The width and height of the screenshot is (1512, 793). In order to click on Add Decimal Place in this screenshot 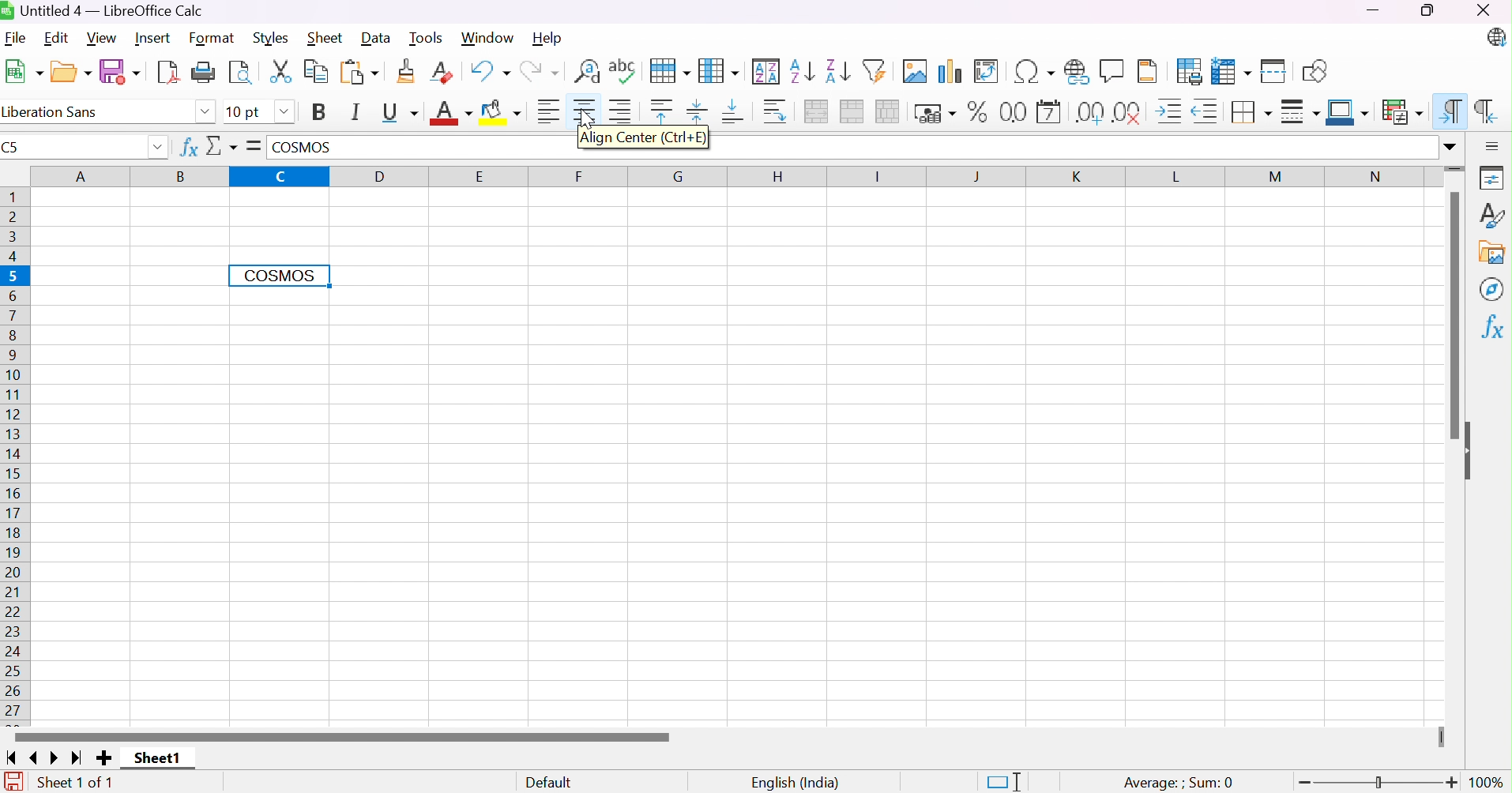, I will do `click(1089, 113)`.